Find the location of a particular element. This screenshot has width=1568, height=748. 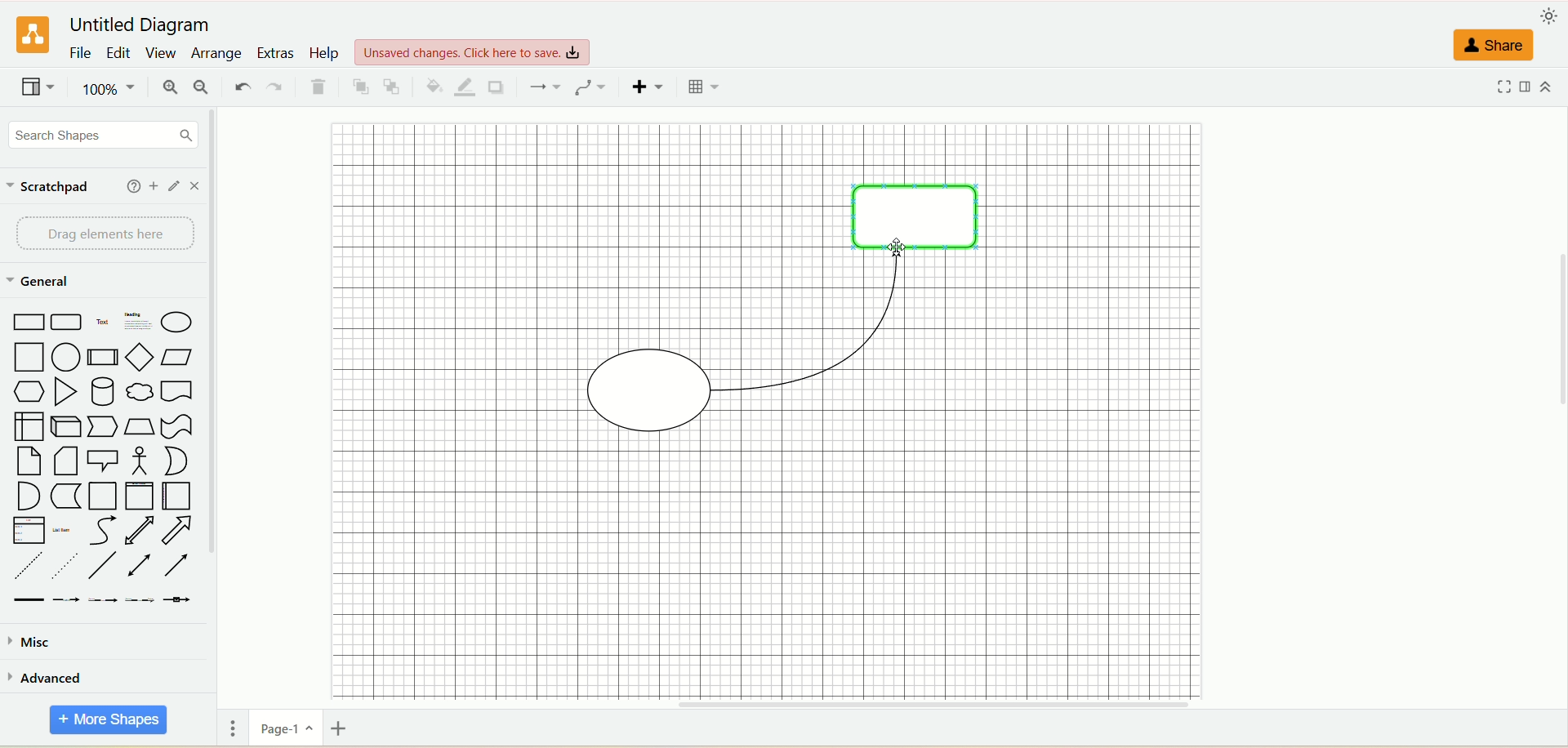

horizontal scroll bar is located at coordinates (889, 705).